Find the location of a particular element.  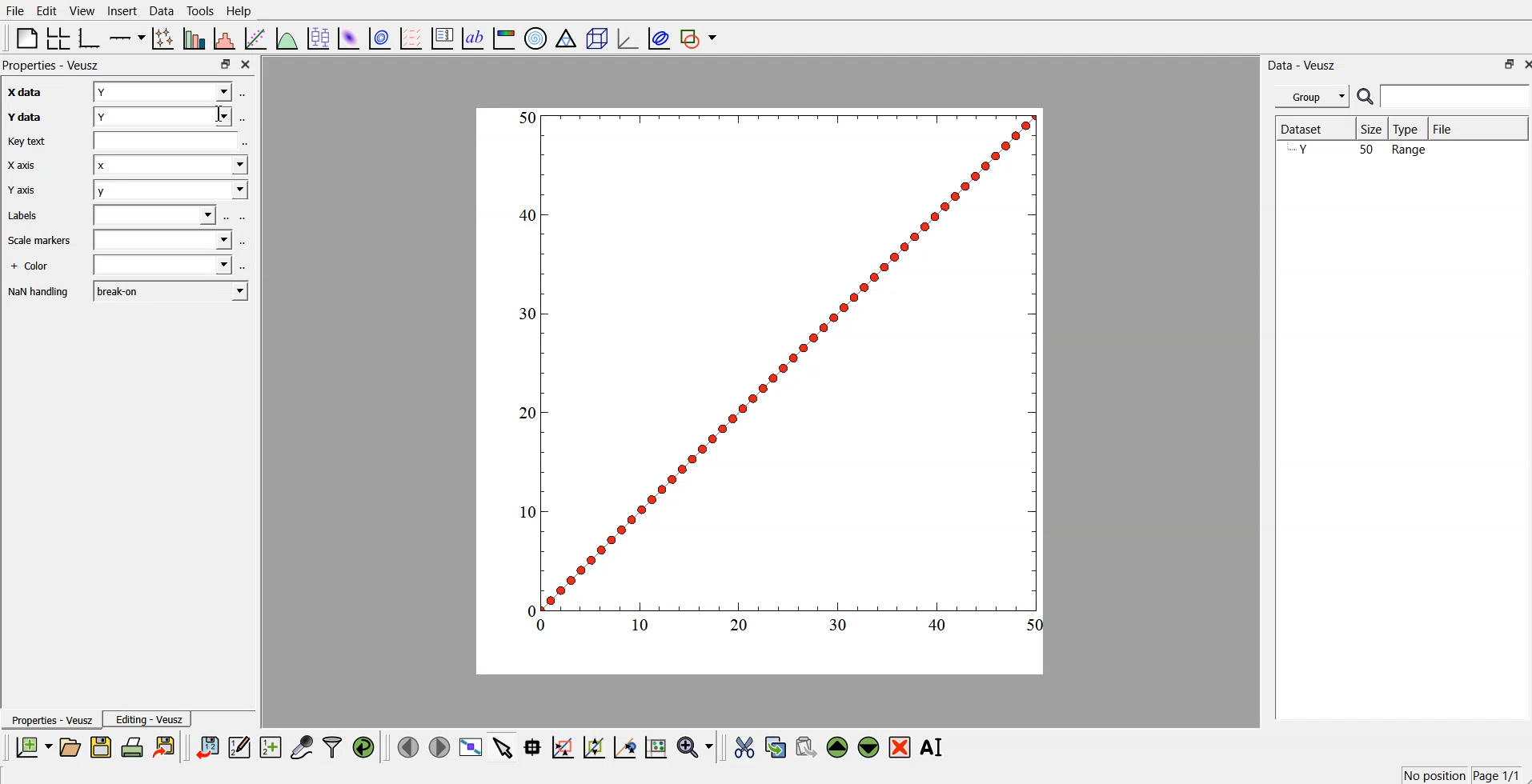

Data - Veusz is located at coordinates (1303, 65).